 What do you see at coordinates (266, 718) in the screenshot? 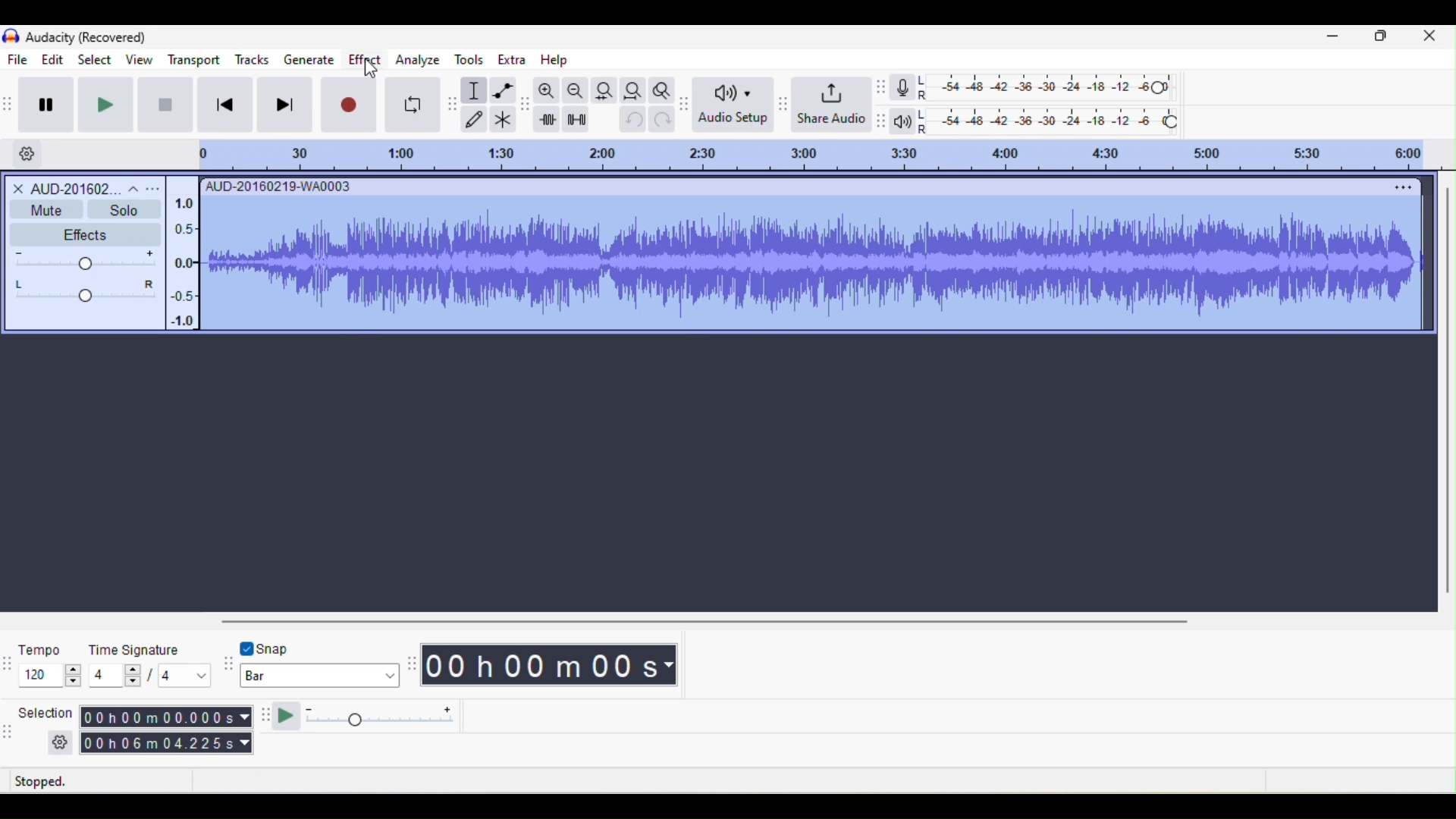
I see `audacity plat at speed` at bounding box center [266, 718].